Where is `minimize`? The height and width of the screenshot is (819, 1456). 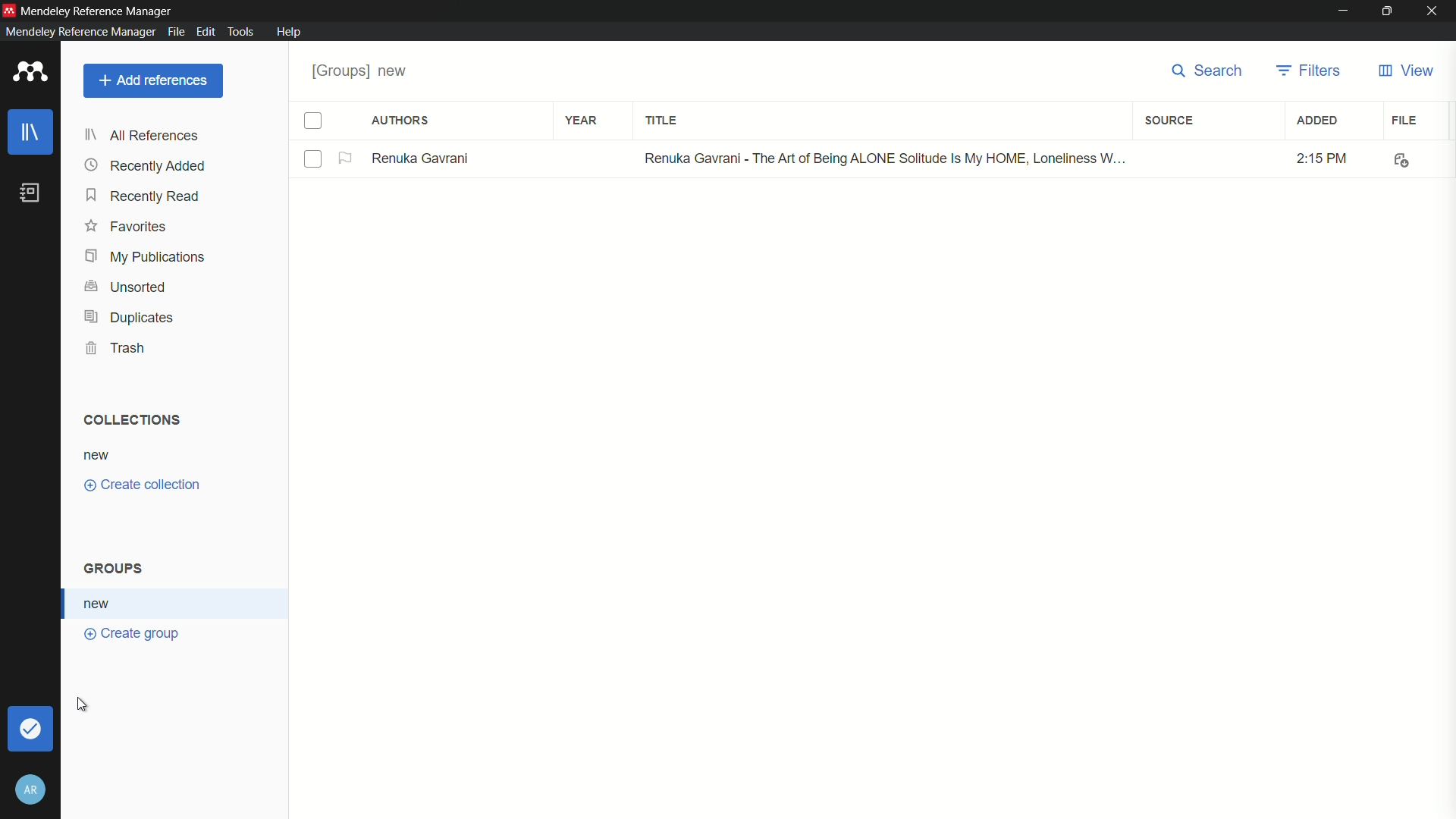
minimize is located at coordinates (1344, 11).